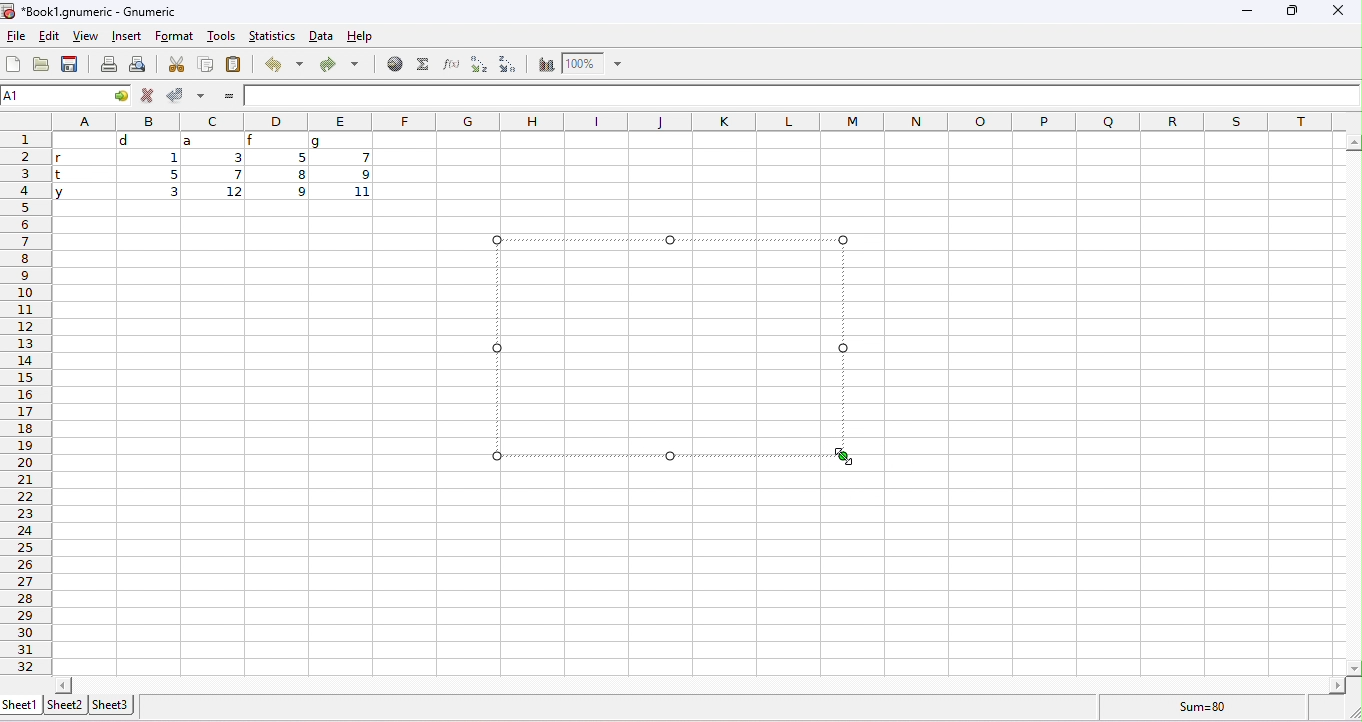 Image resolution: width=1362 pixels, height=722 pixels. Describe the element at coordinates (272, 35) in the screenshot. I see `statistics` at that location.